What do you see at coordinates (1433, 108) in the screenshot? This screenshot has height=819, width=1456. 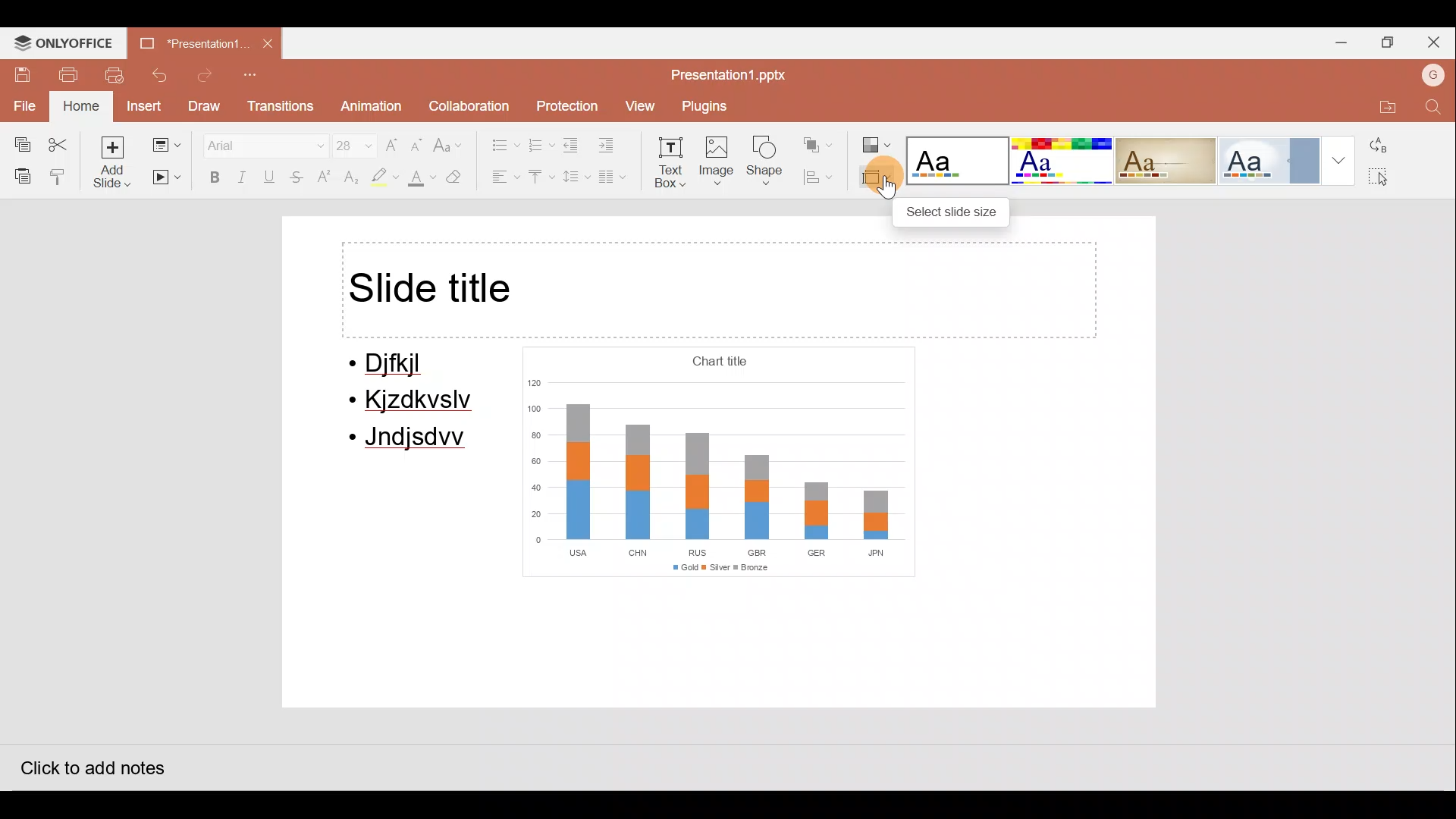 I see `Find` at bounding box center [1433, 108].